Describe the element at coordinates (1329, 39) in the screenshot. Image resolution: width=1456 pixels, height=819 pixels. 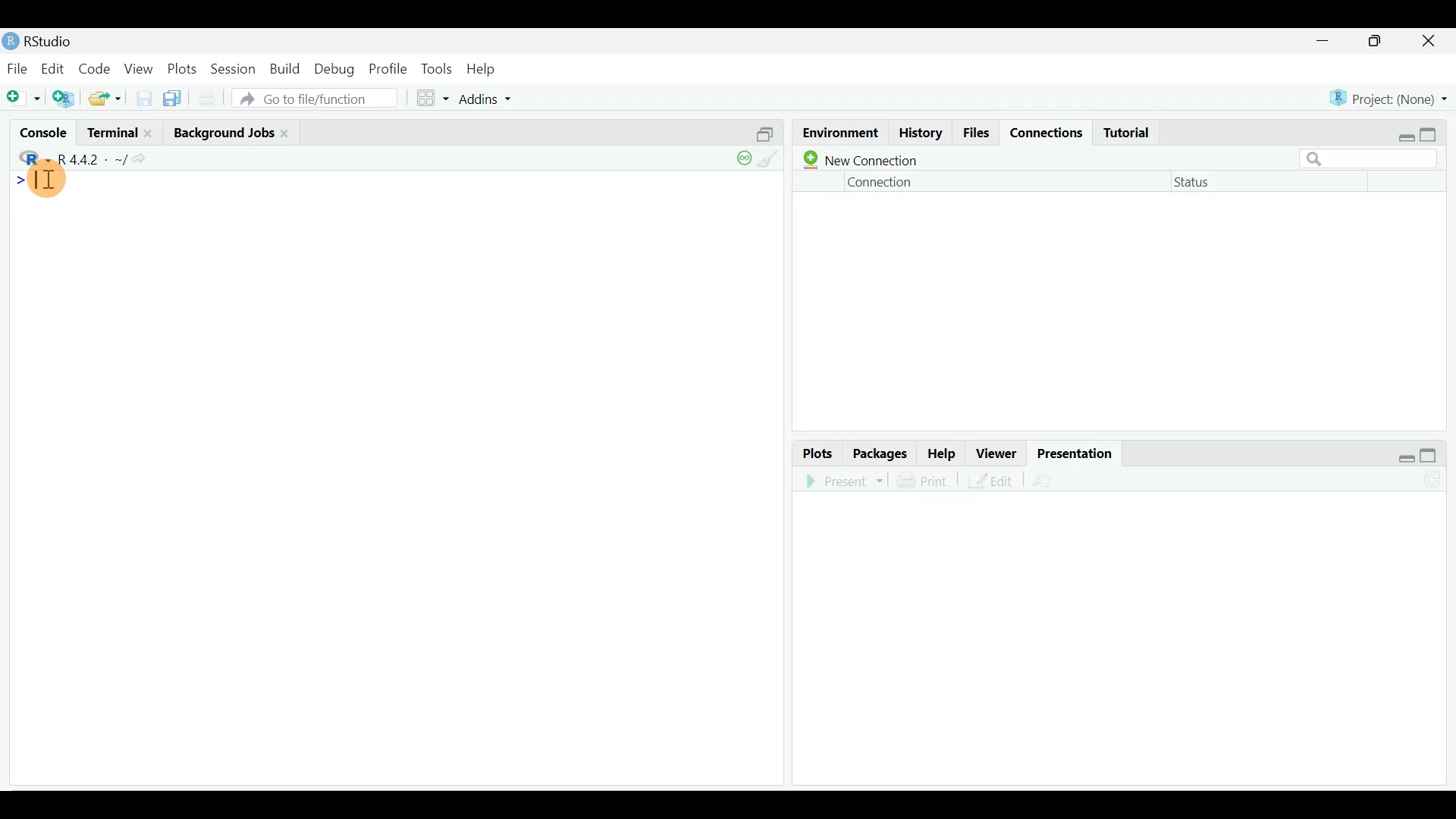
I see `minimize` at that location.